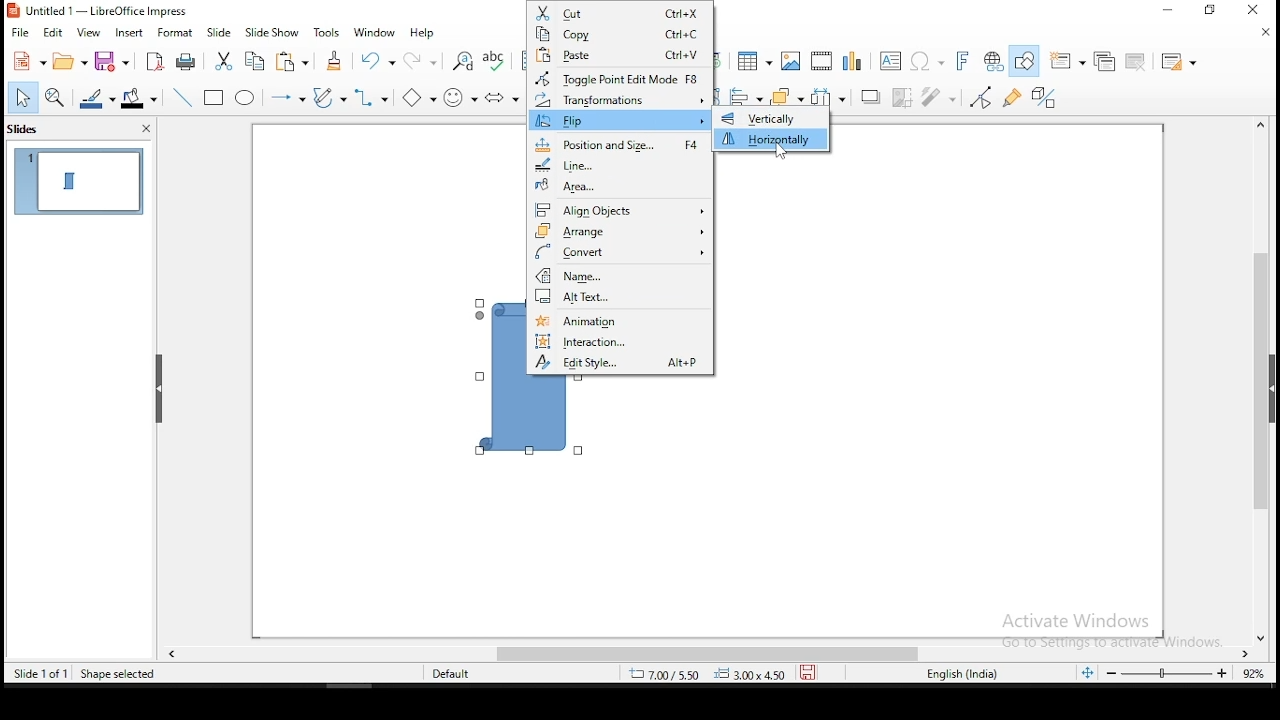 This screenshot has width=1280, height=720. What do you see at coordinates (247, 99) in the screenshot?
I see `ellipse` at bounding box center [247, 99].